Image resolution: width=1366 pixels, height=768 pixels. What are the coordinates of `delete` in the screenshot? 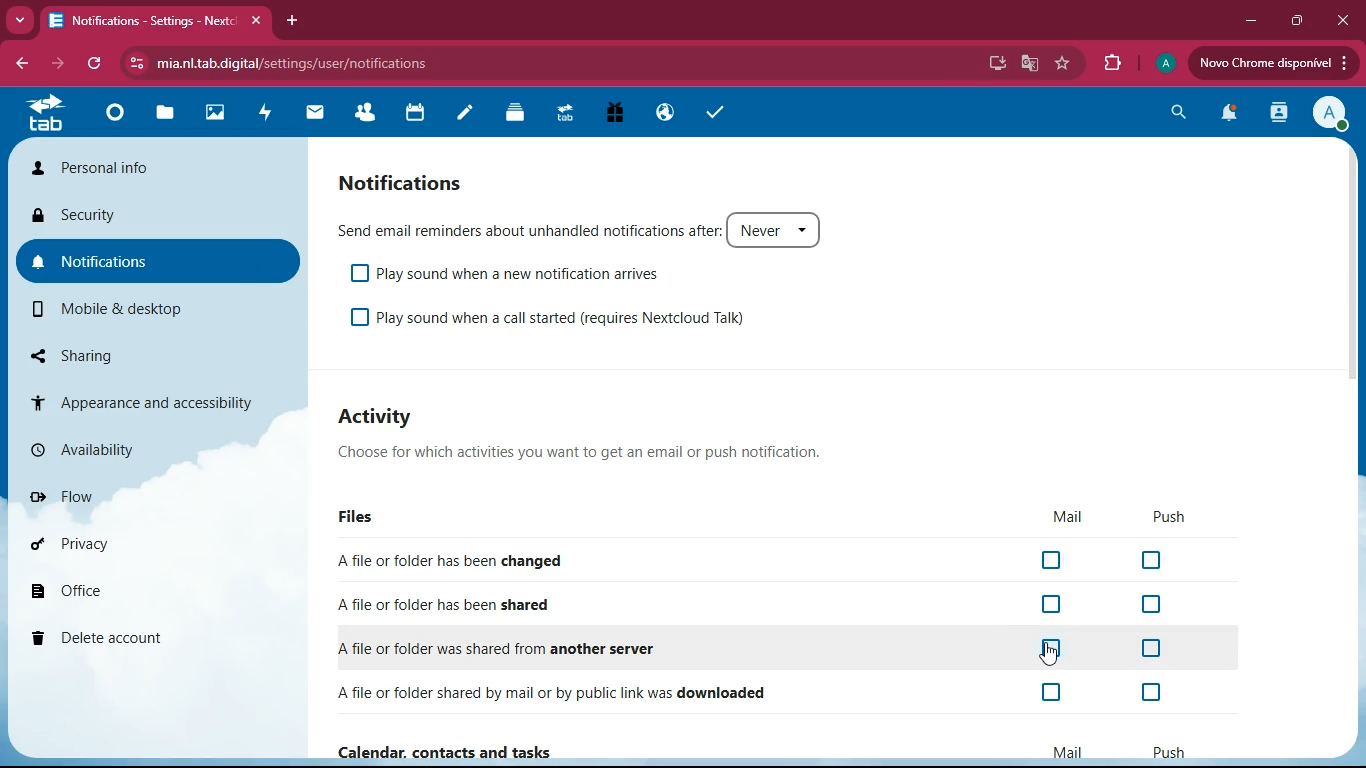 It's located at (141, 635).